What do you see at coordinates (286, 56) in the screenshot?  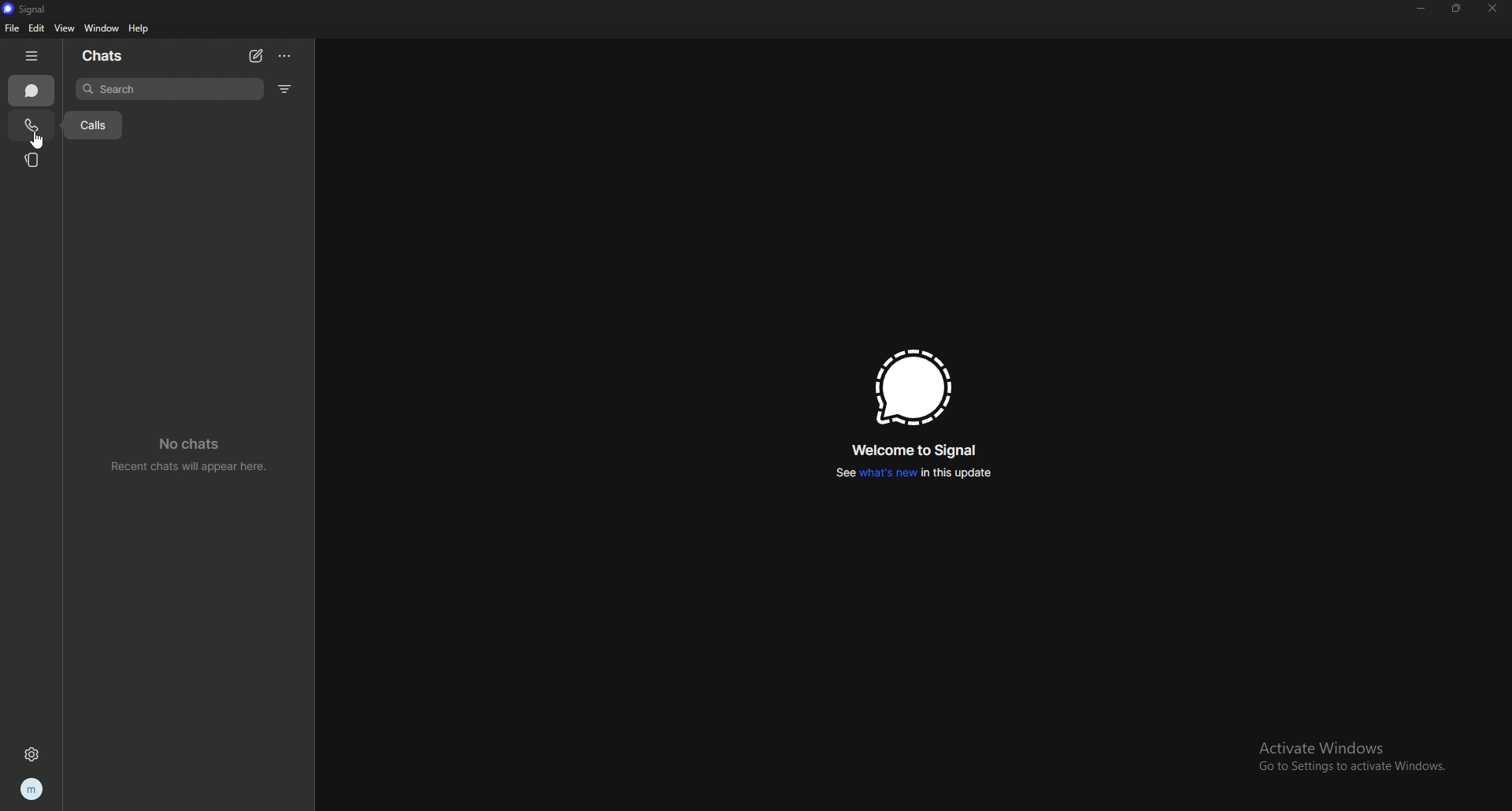 I see `options` at bounding box center [286, 56].